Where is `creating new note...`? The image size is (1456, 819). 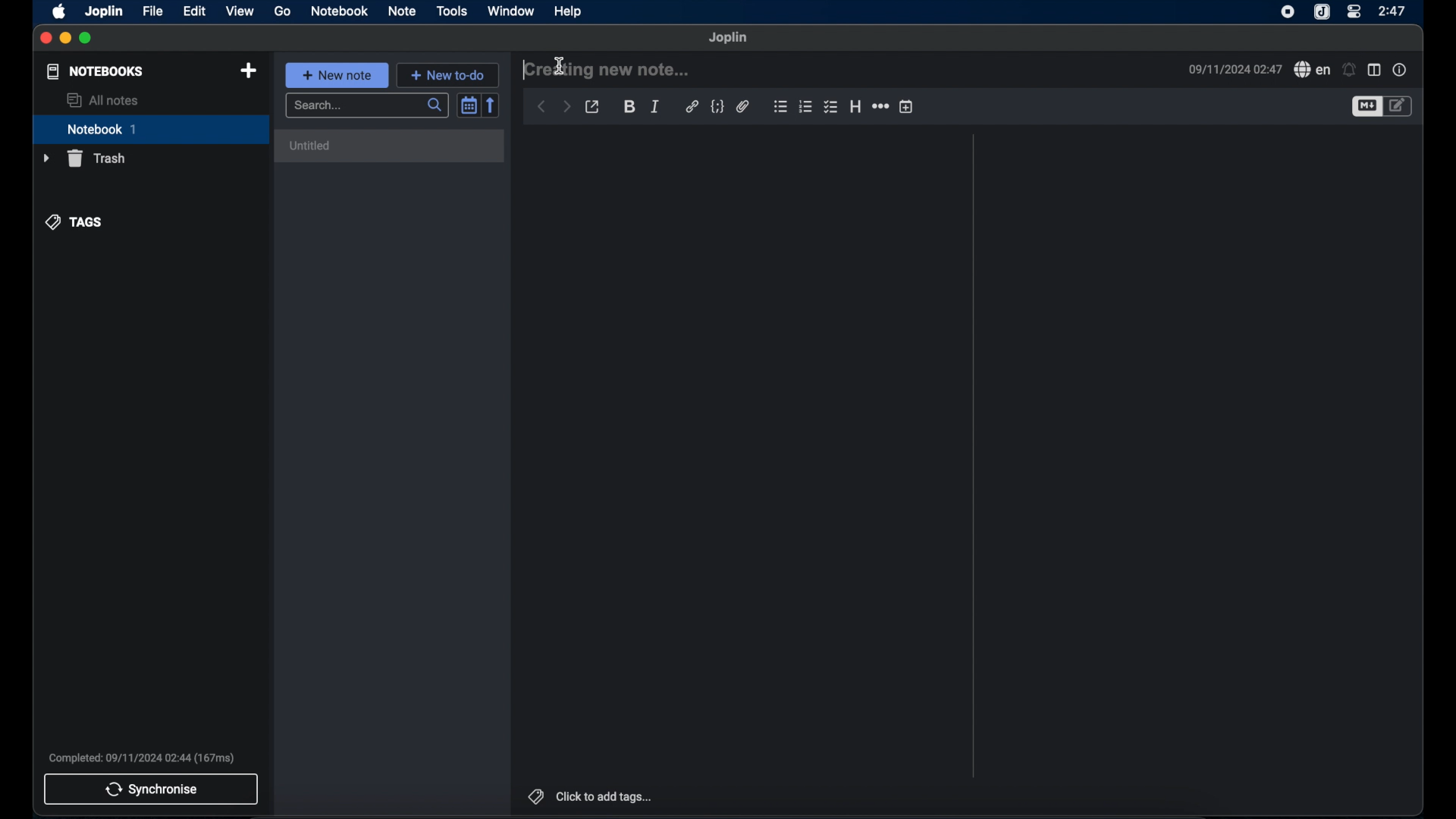
creating new note... is located at coordinates (610, 69).